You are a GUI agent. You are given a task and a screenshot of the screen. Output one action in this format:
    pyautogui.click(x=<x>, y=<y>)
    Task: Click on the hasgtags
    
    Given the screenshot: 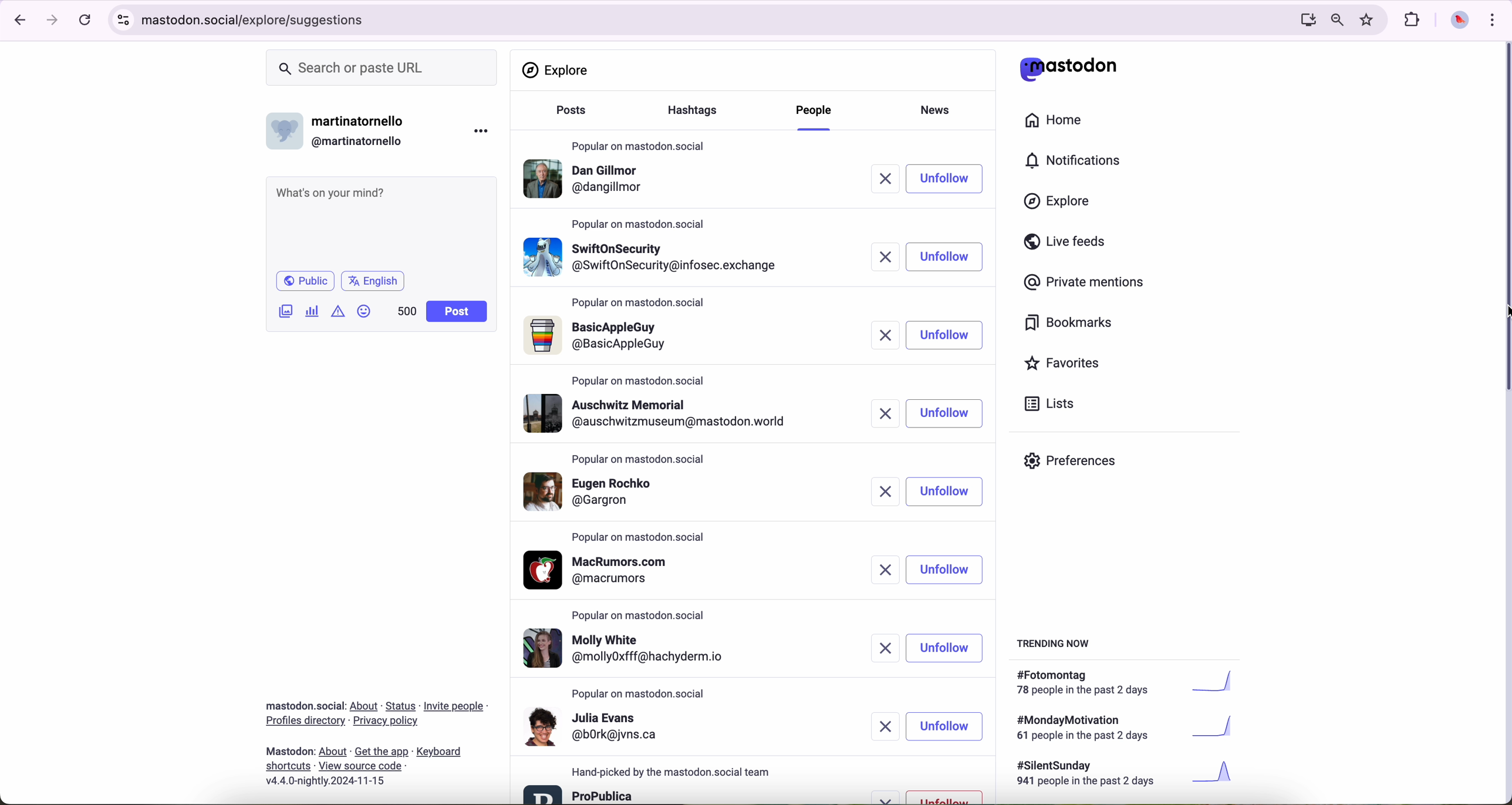 What is the action you would take?
    pyautogui.click(x=699, y=112)
    